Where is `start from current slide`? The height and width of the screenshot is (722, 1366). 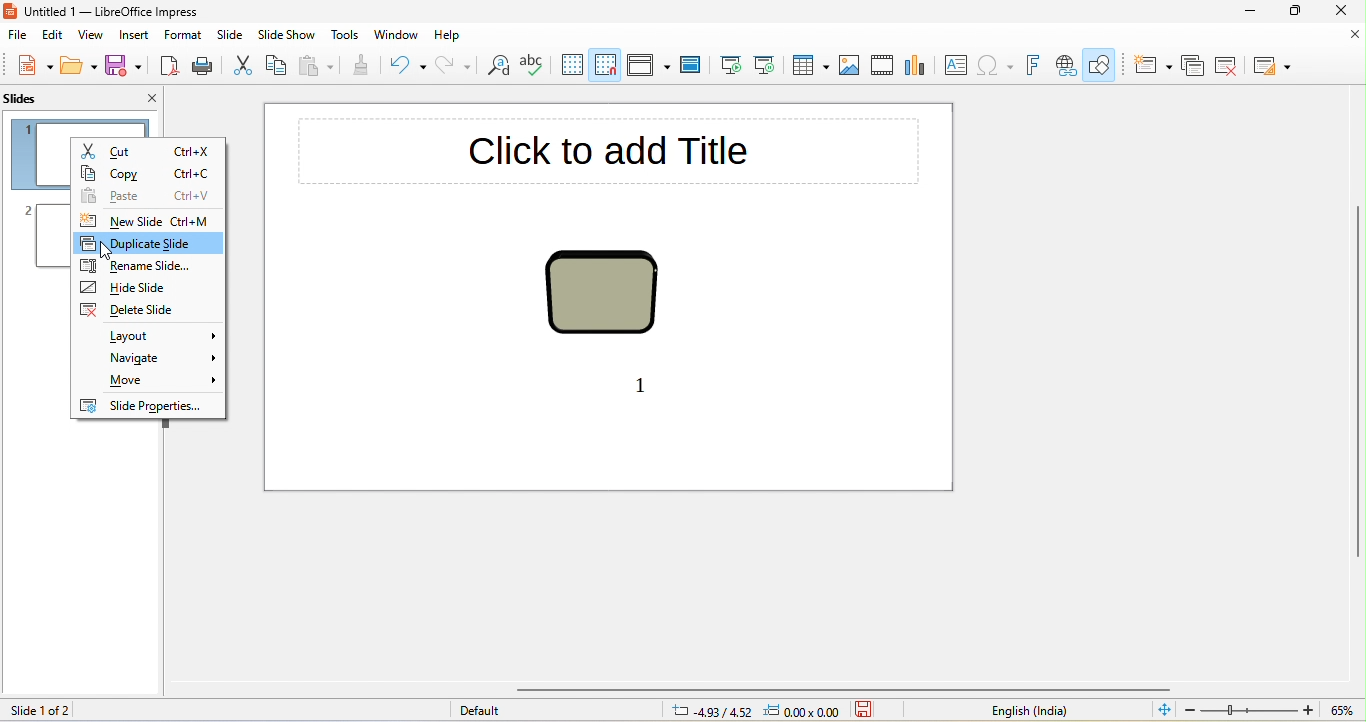
start from current slide is located at coordinates (771, 66).